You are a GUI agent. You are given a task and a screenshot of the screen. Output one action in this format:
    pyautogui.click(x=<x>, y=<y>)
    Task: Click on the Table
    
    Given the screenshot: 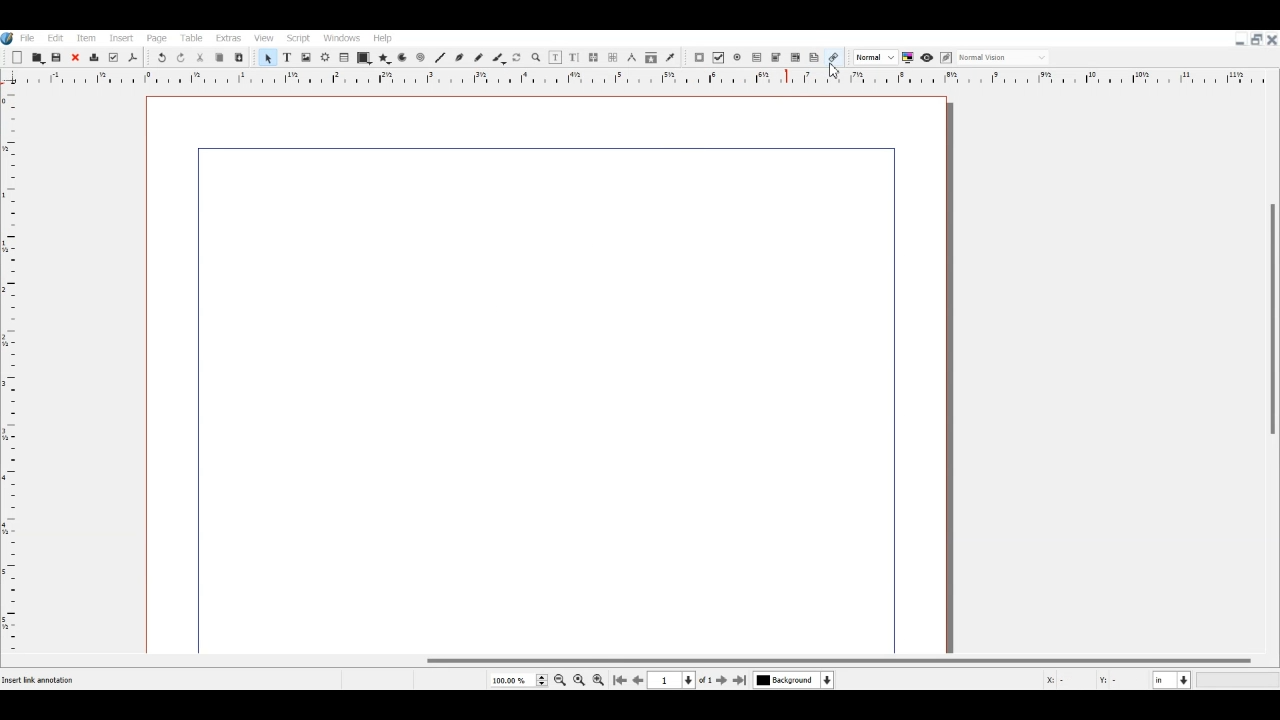 What is the action you would take?
    pyautogui.click(x=191, y=38)
    